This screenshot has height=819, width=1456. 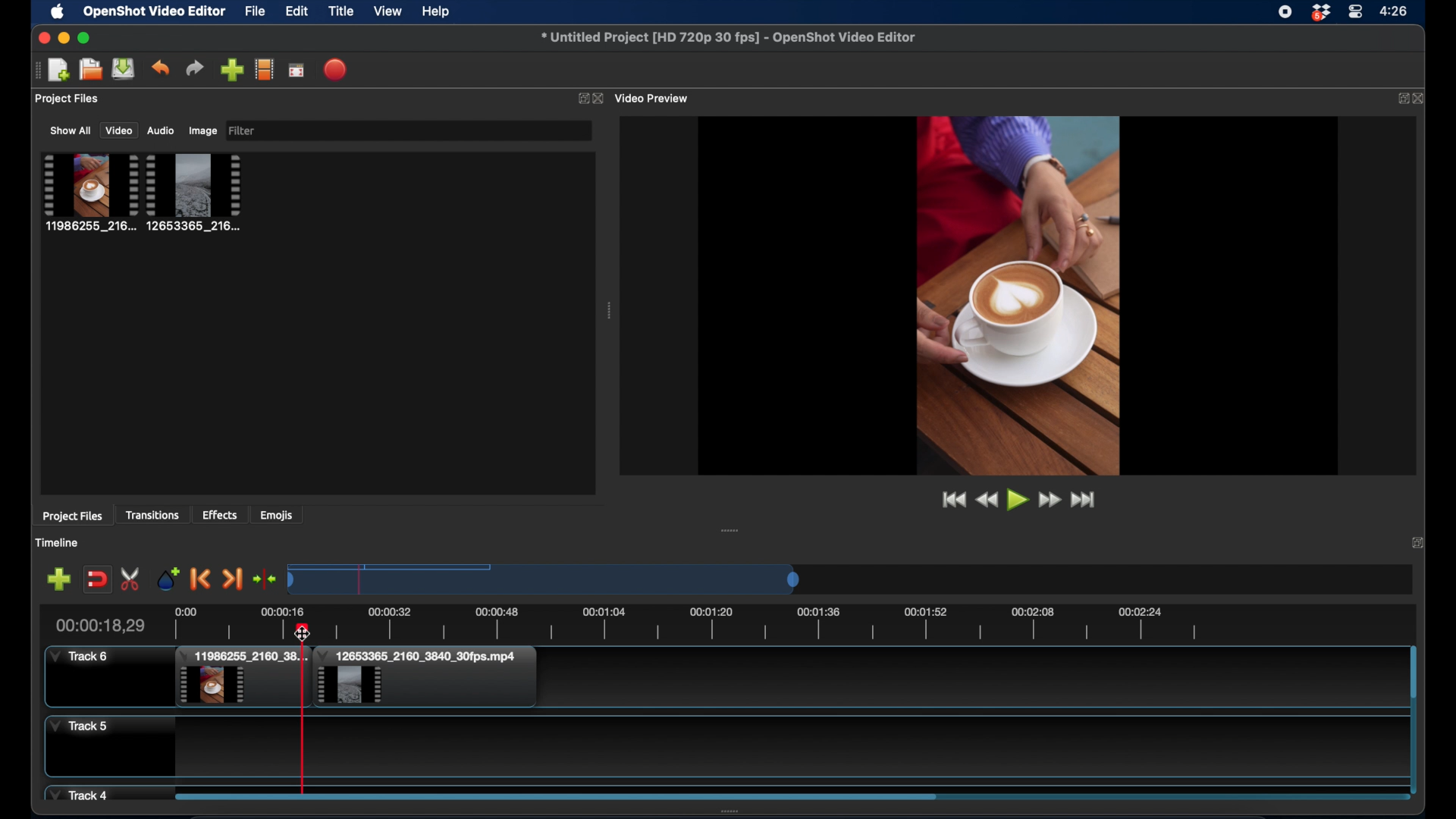 I want to click on openshot video editor, so click(x=155, y=12).